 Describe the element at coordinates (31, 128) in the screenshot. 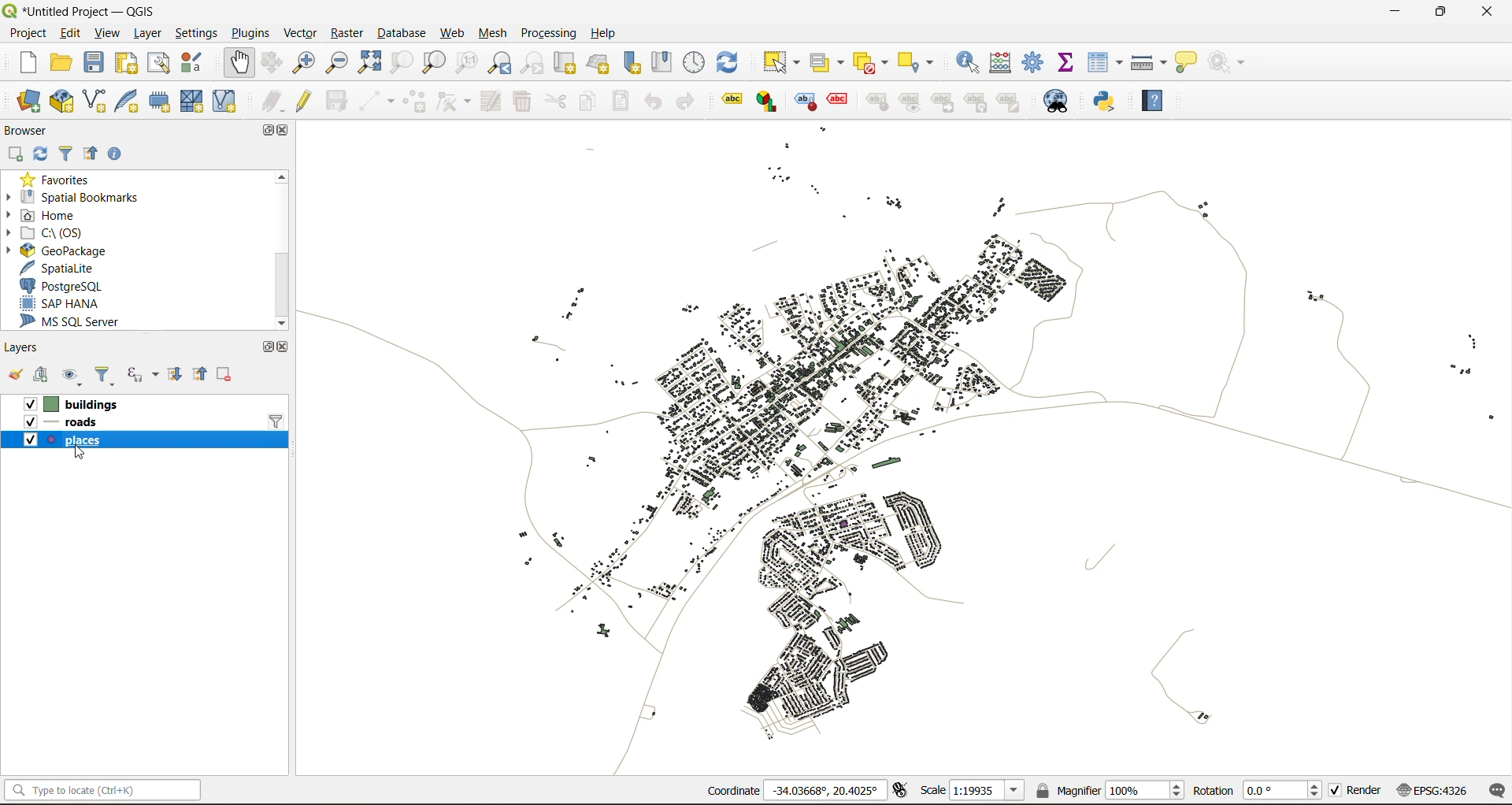

I see `browser` at that location.